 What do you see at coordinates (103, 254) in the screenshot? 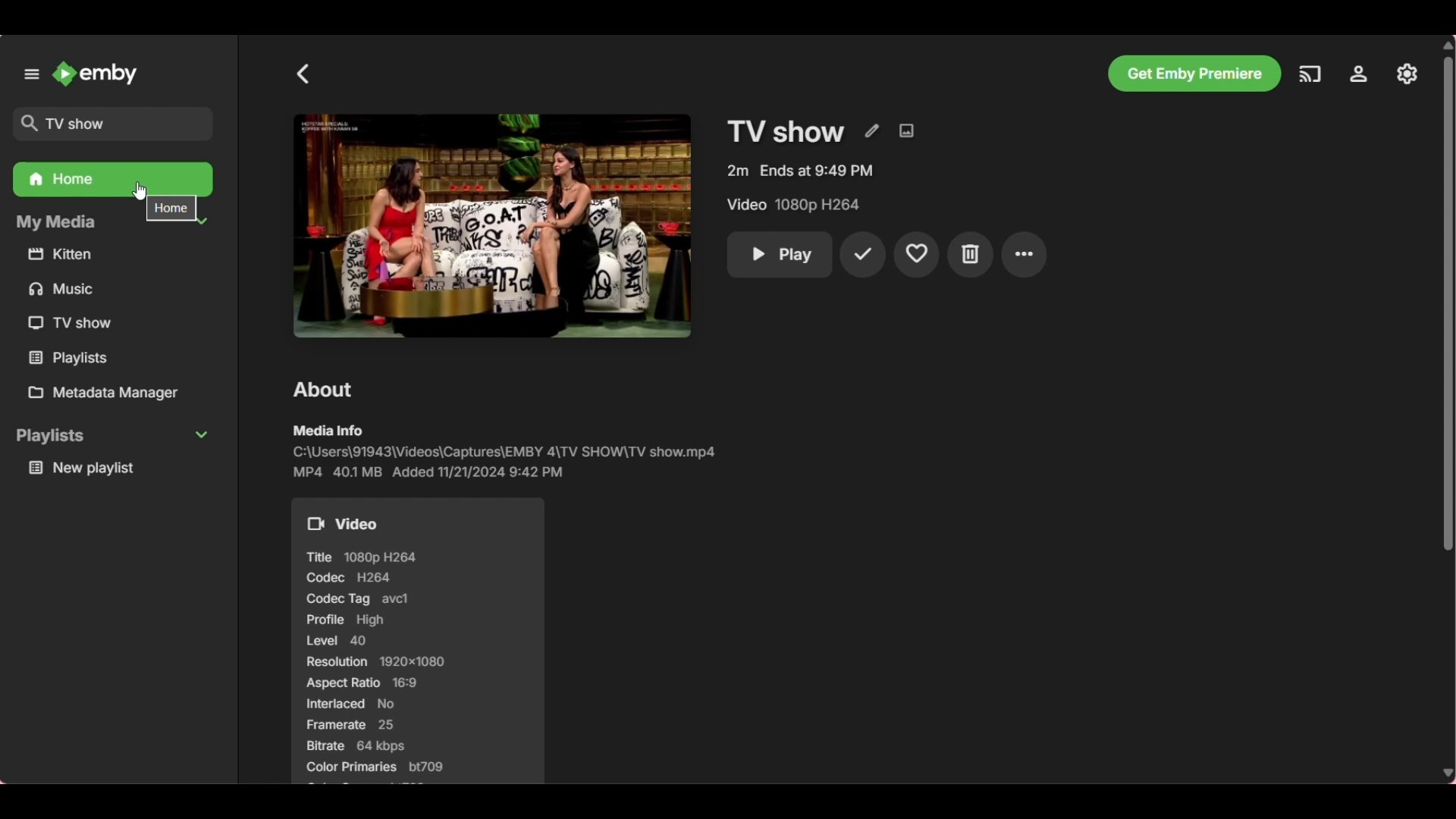
I see `kitten` at bounding box center [103, 254].